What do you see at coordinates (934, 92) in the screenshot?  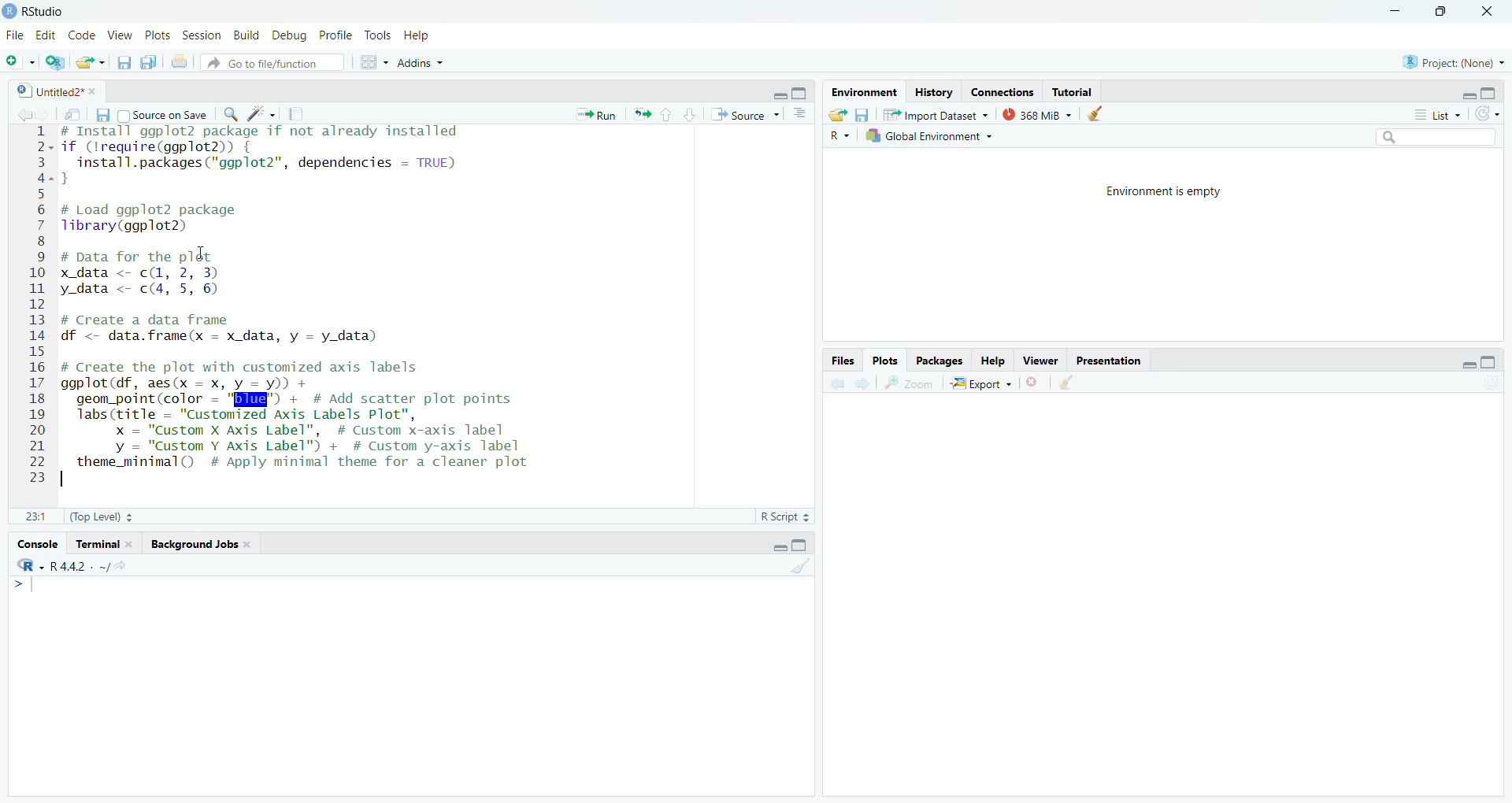 I see `History` at bounding box center [934, 92].